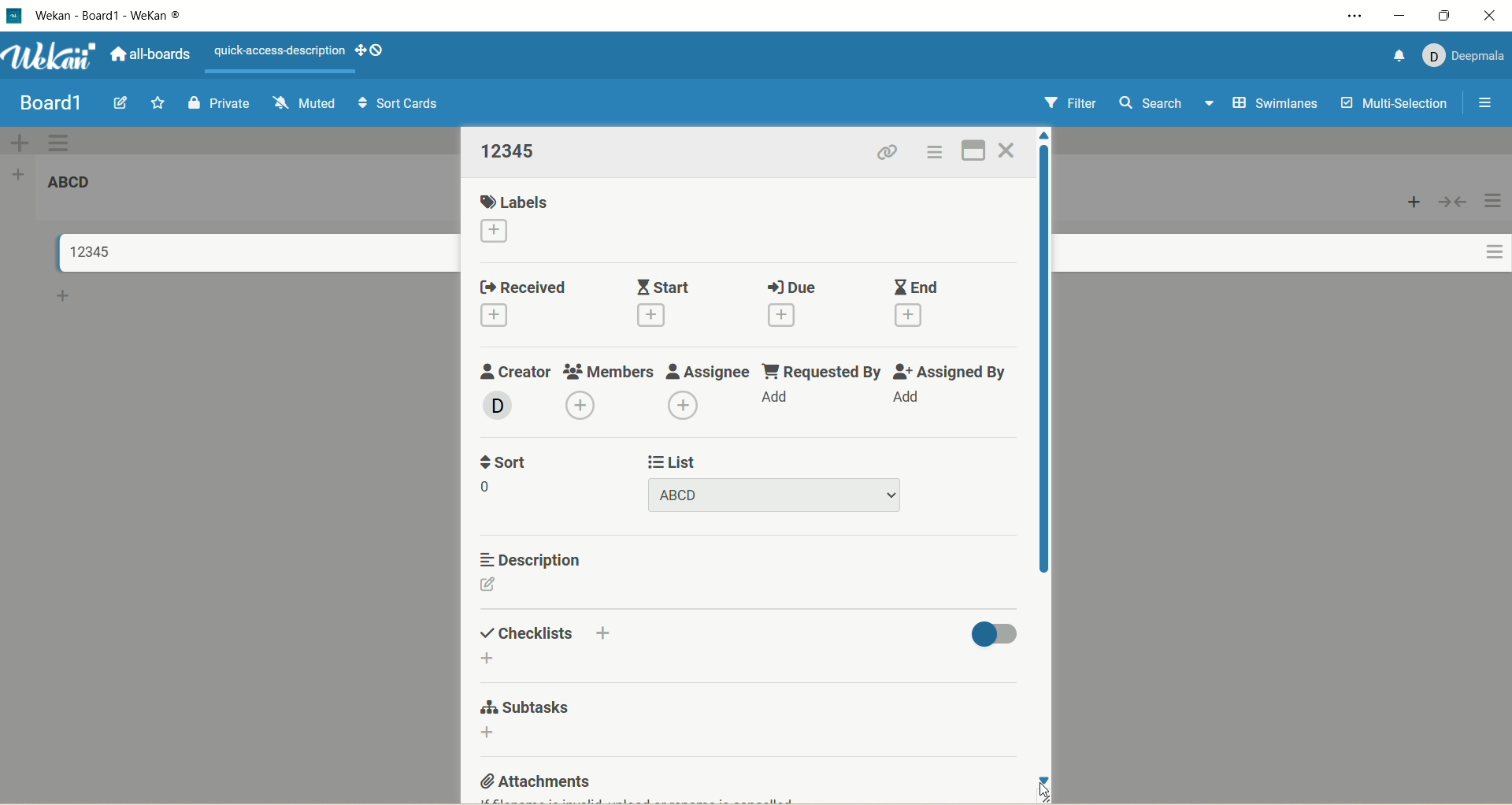  Describe the element at coordinates (665, 284) in the screenshot. I see `start` at that location.